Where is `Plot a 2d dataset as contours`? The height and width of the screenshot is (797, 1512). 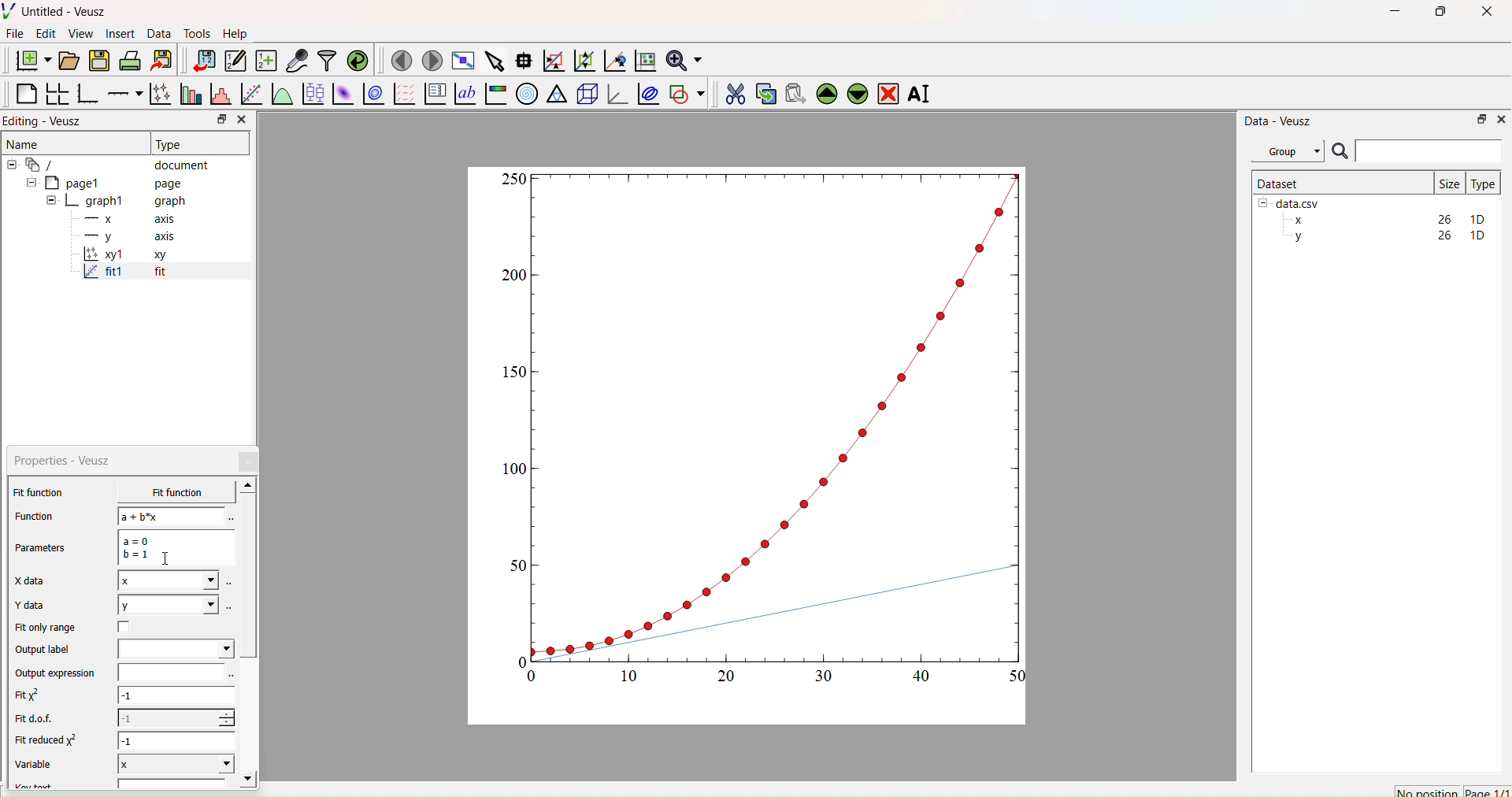
Plot a 2d dataset as contours is located at coordinates (372, 95).